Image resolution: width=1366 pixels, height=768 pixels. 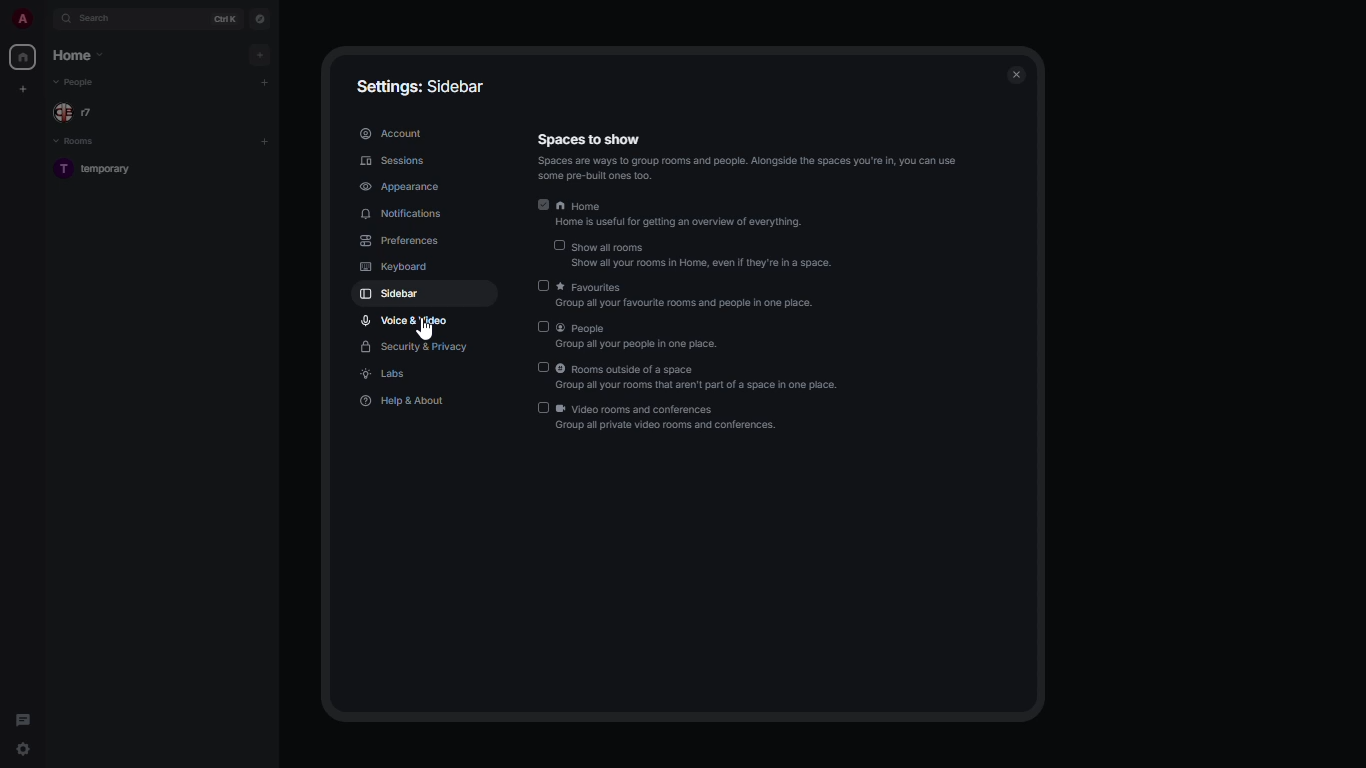 I want to click on disabled, so click(x=541, y=285).